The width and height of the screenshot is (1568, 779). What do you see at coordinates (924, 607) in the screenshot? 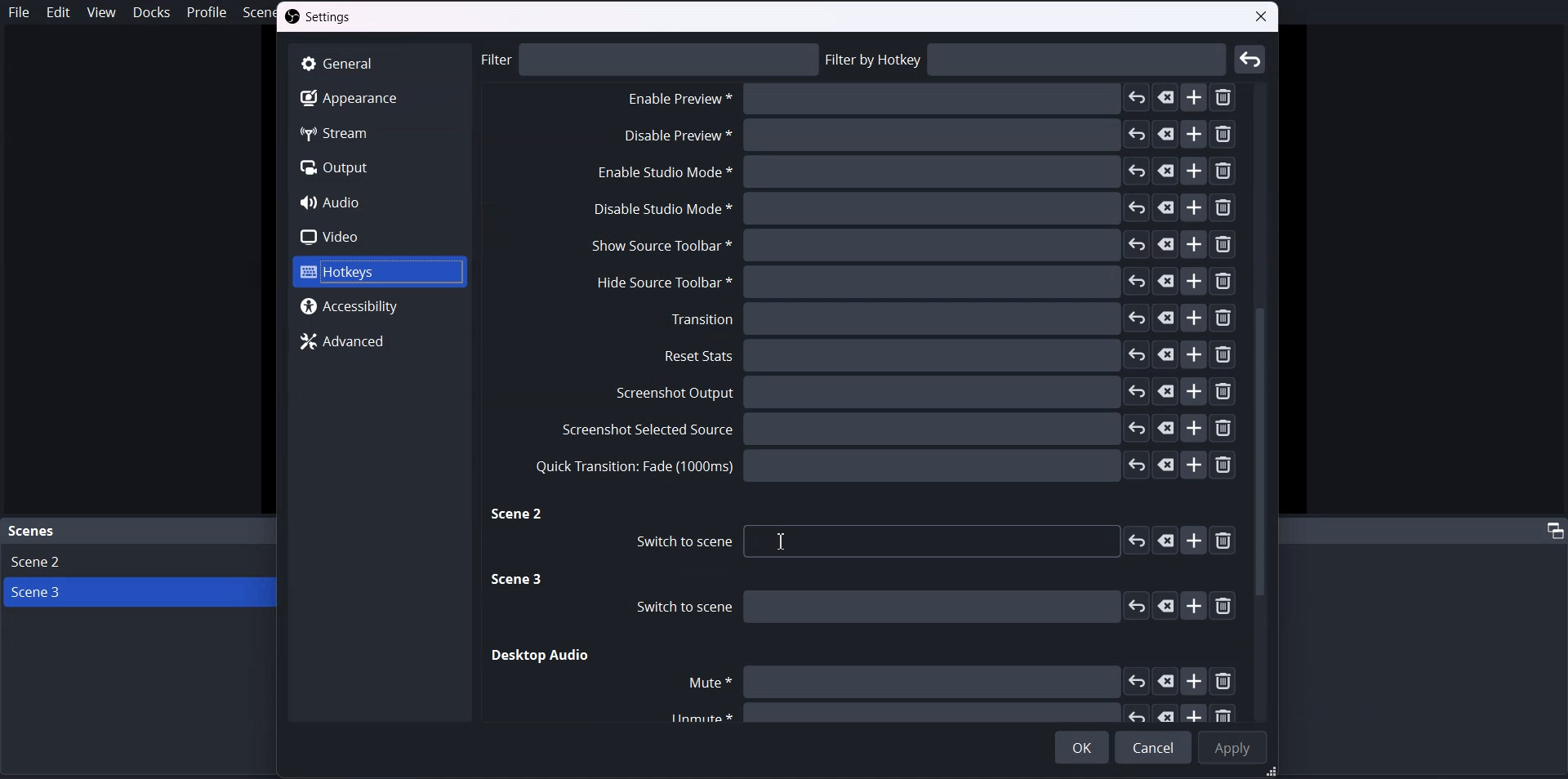
I see `Switch to scene` at bounding box center [924, 607].